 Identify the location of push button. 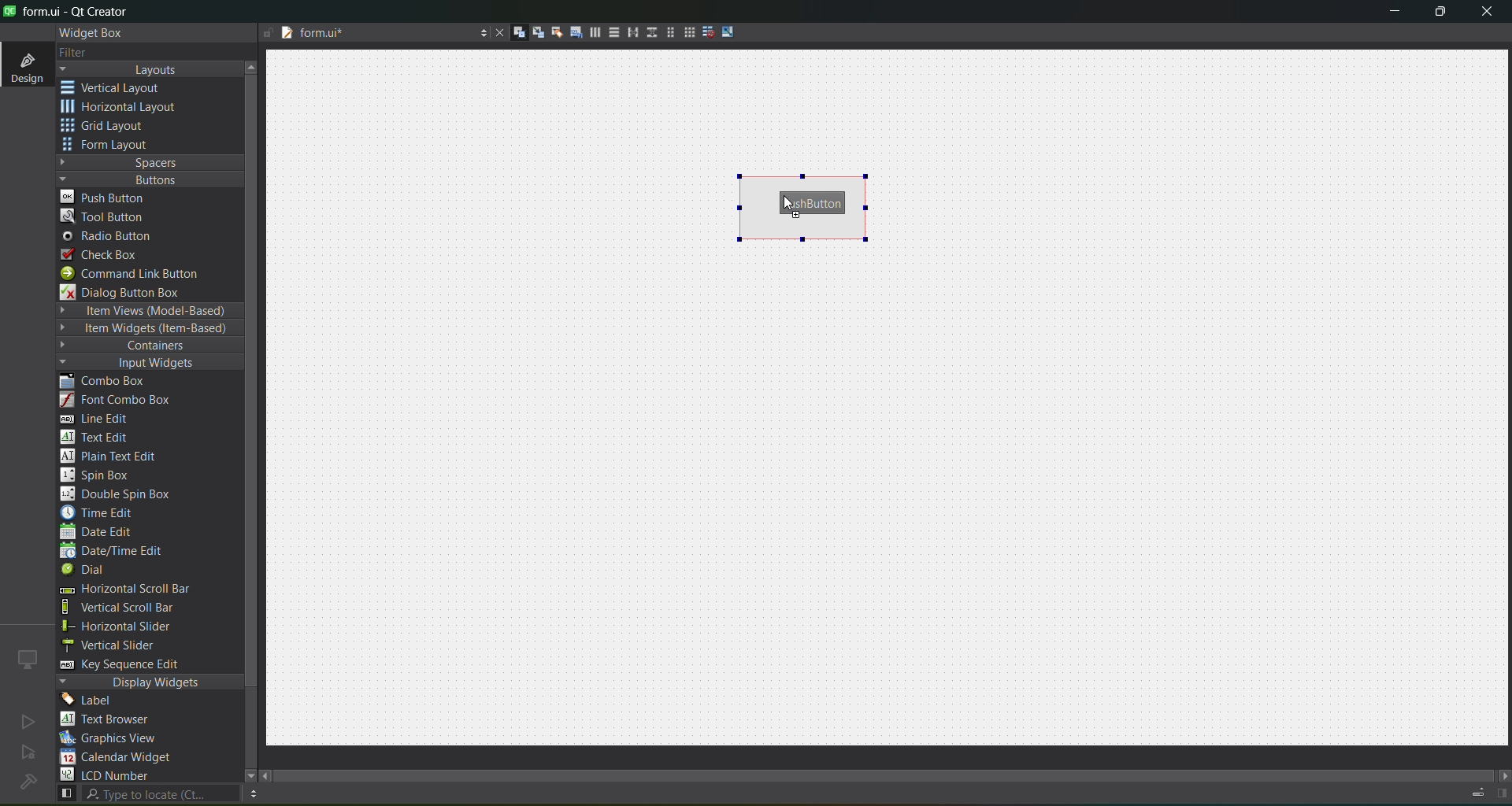
(813, 204).